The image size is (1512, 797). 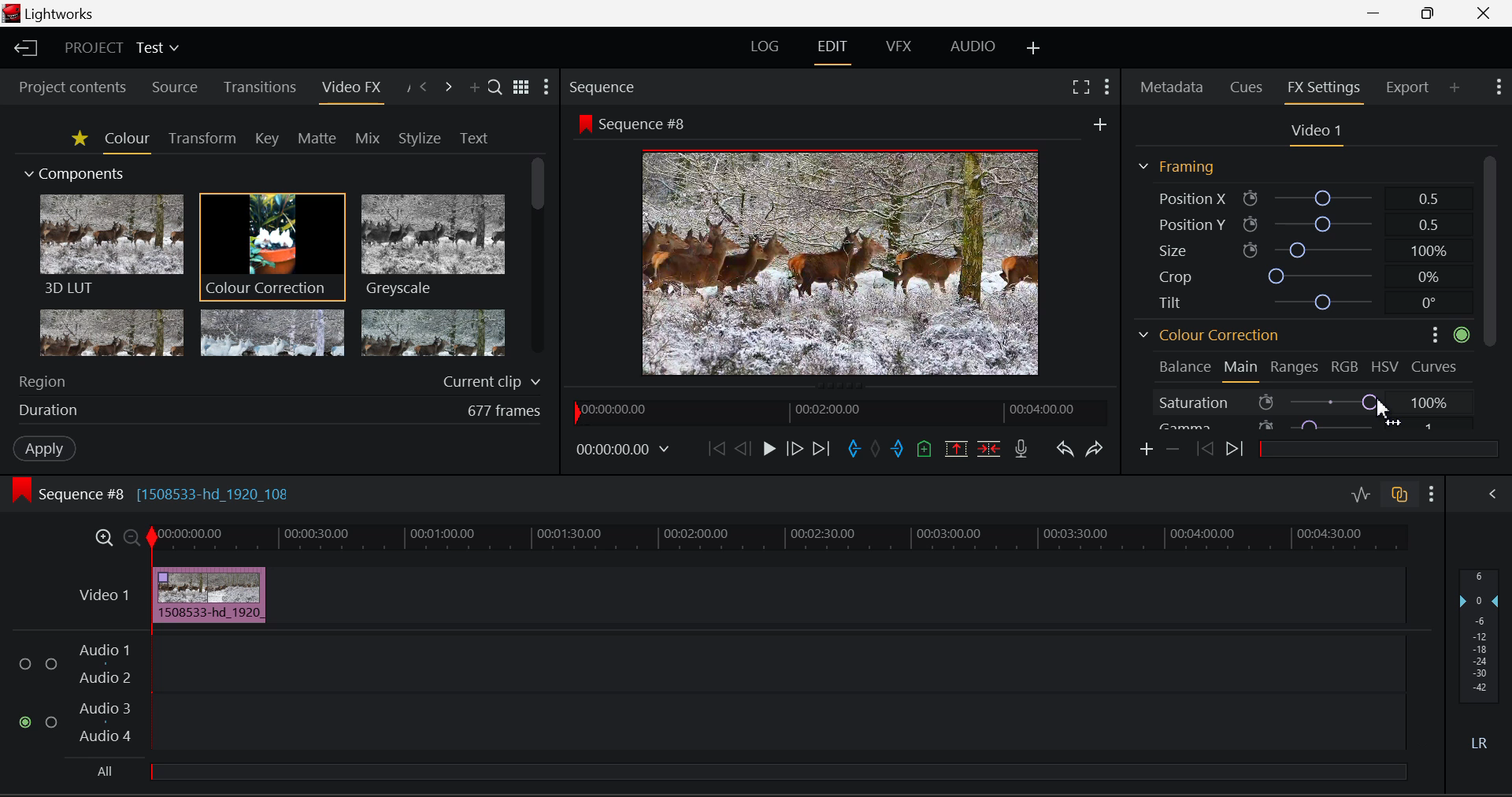 I want to click on Components, so click(x=76, y=175).